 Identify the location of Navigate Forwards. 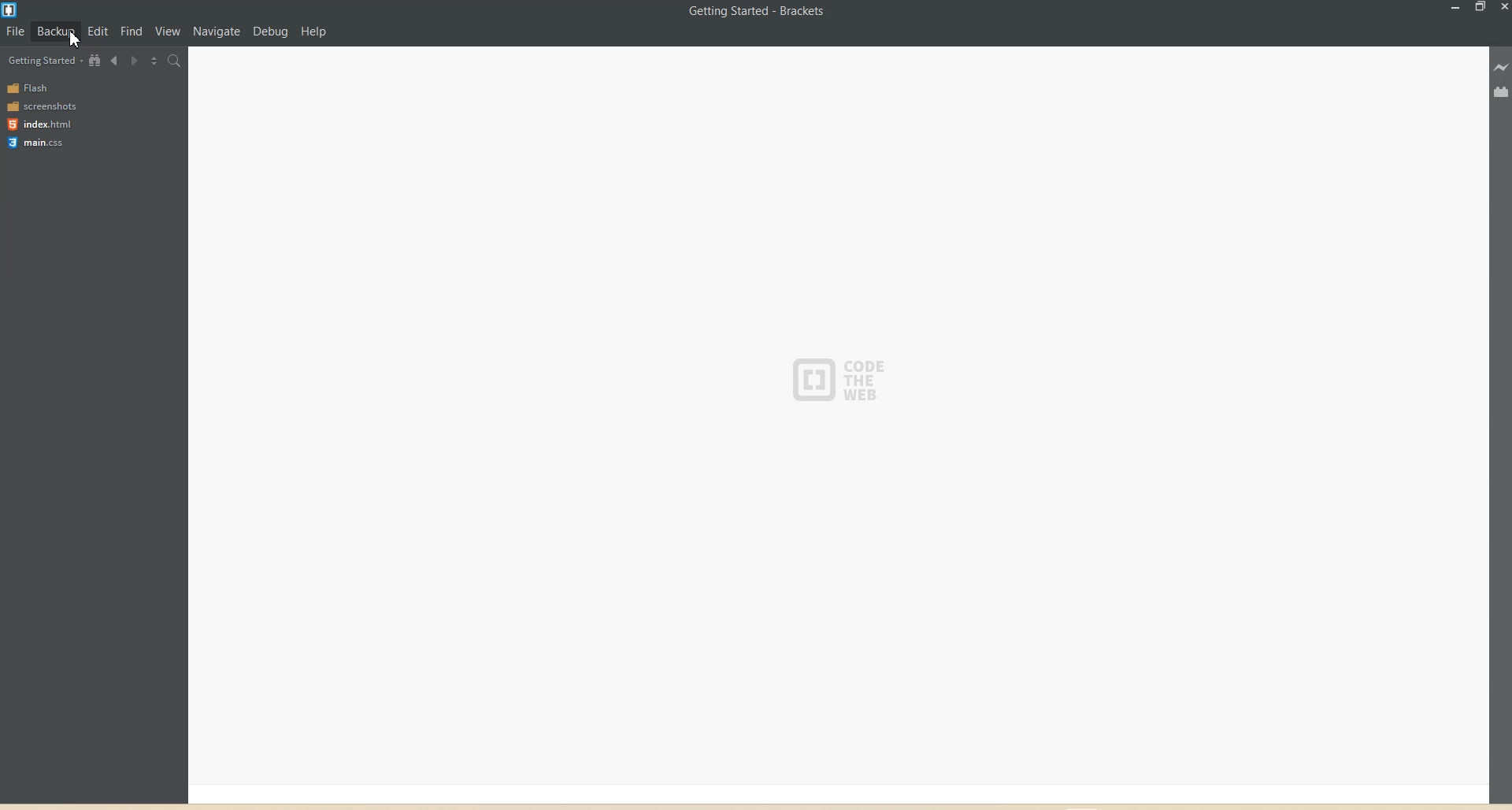
(134, 60).